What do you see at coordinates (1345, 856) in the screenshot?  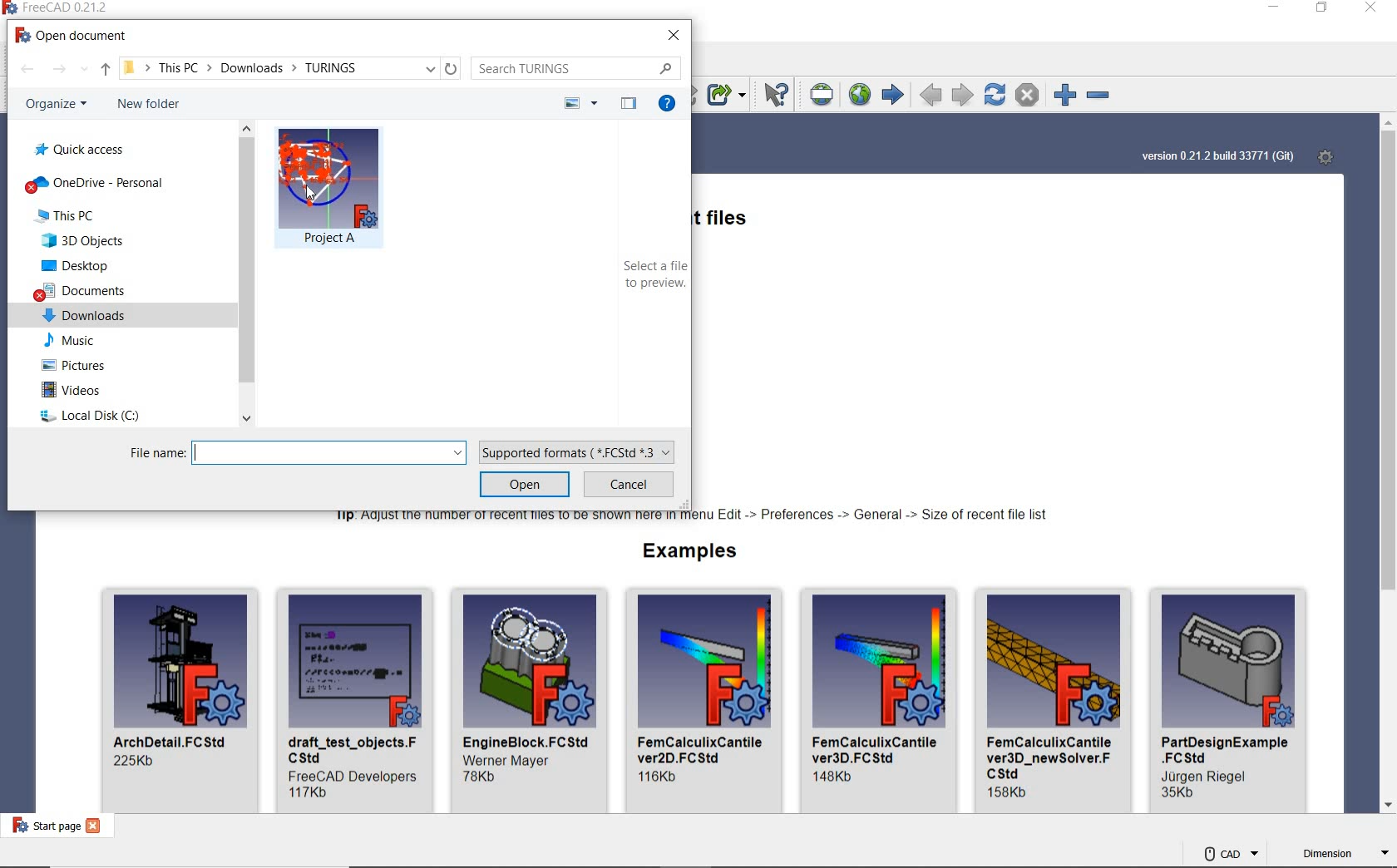 I see `DIMENSION` at bounding box center [1345, 856].